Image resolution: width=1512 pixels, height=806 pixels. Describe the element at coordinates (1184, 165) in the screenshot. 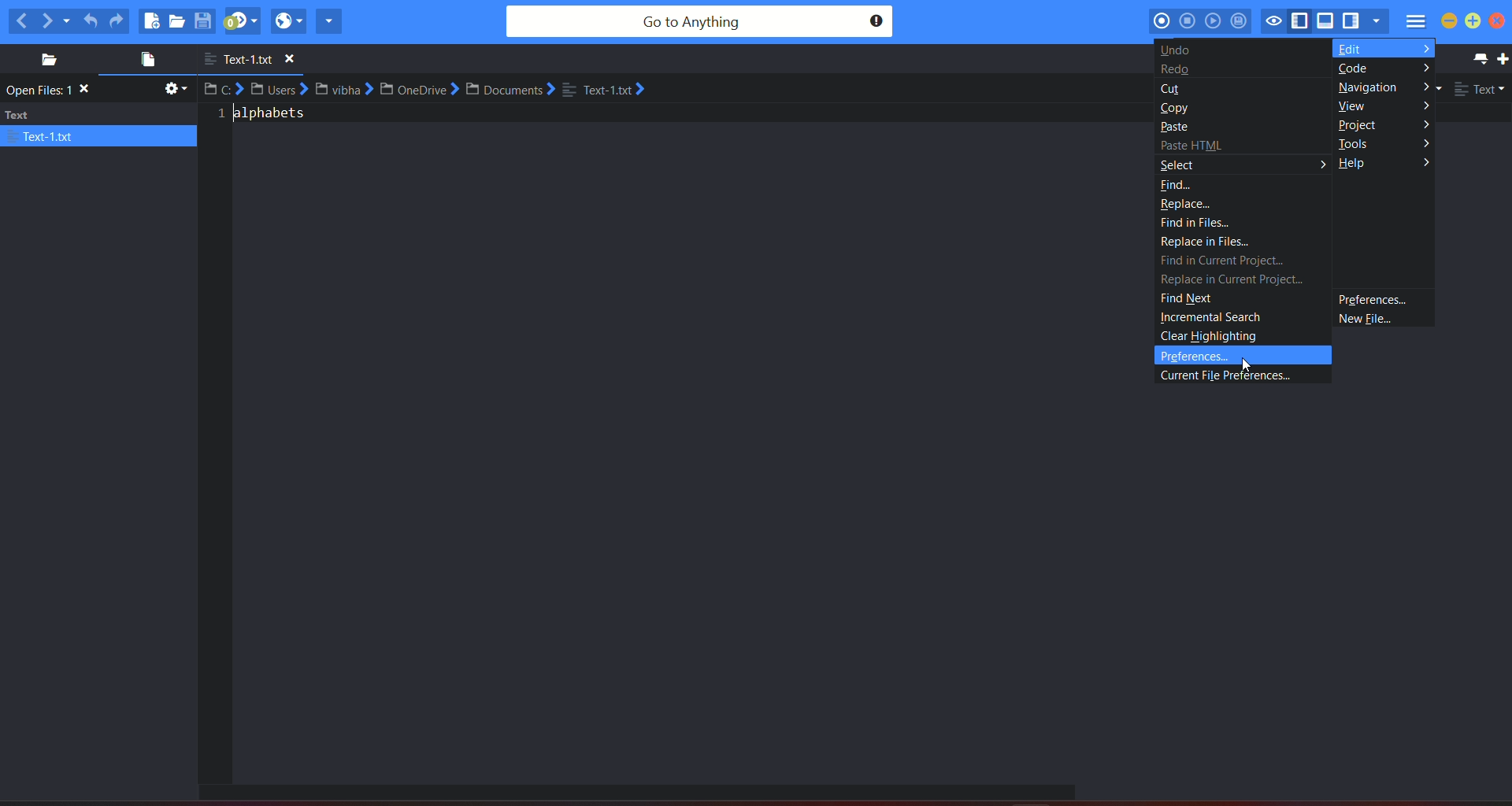

I see `select` at that location.